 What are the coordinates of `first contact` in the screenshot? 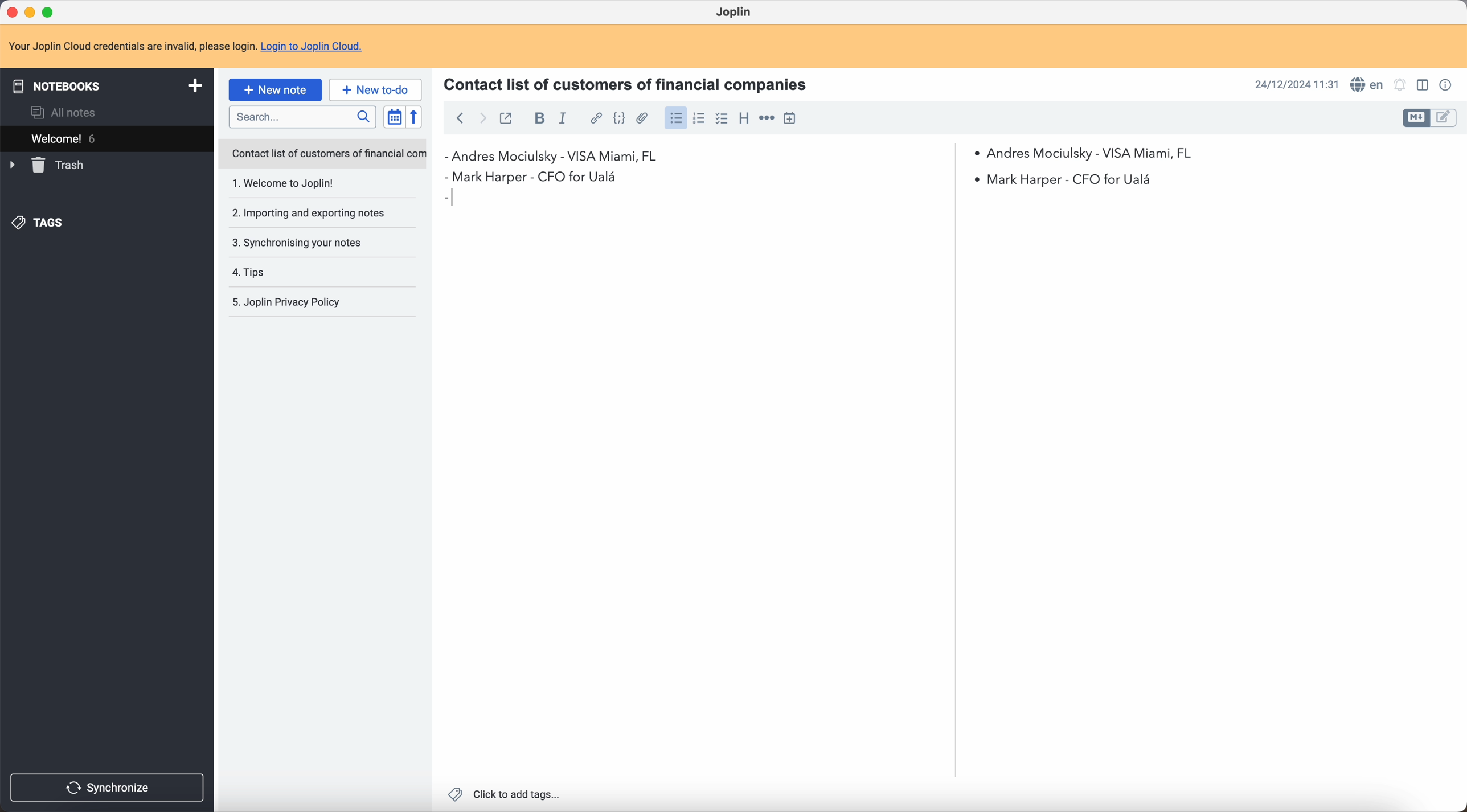 It's located at (559, 157).